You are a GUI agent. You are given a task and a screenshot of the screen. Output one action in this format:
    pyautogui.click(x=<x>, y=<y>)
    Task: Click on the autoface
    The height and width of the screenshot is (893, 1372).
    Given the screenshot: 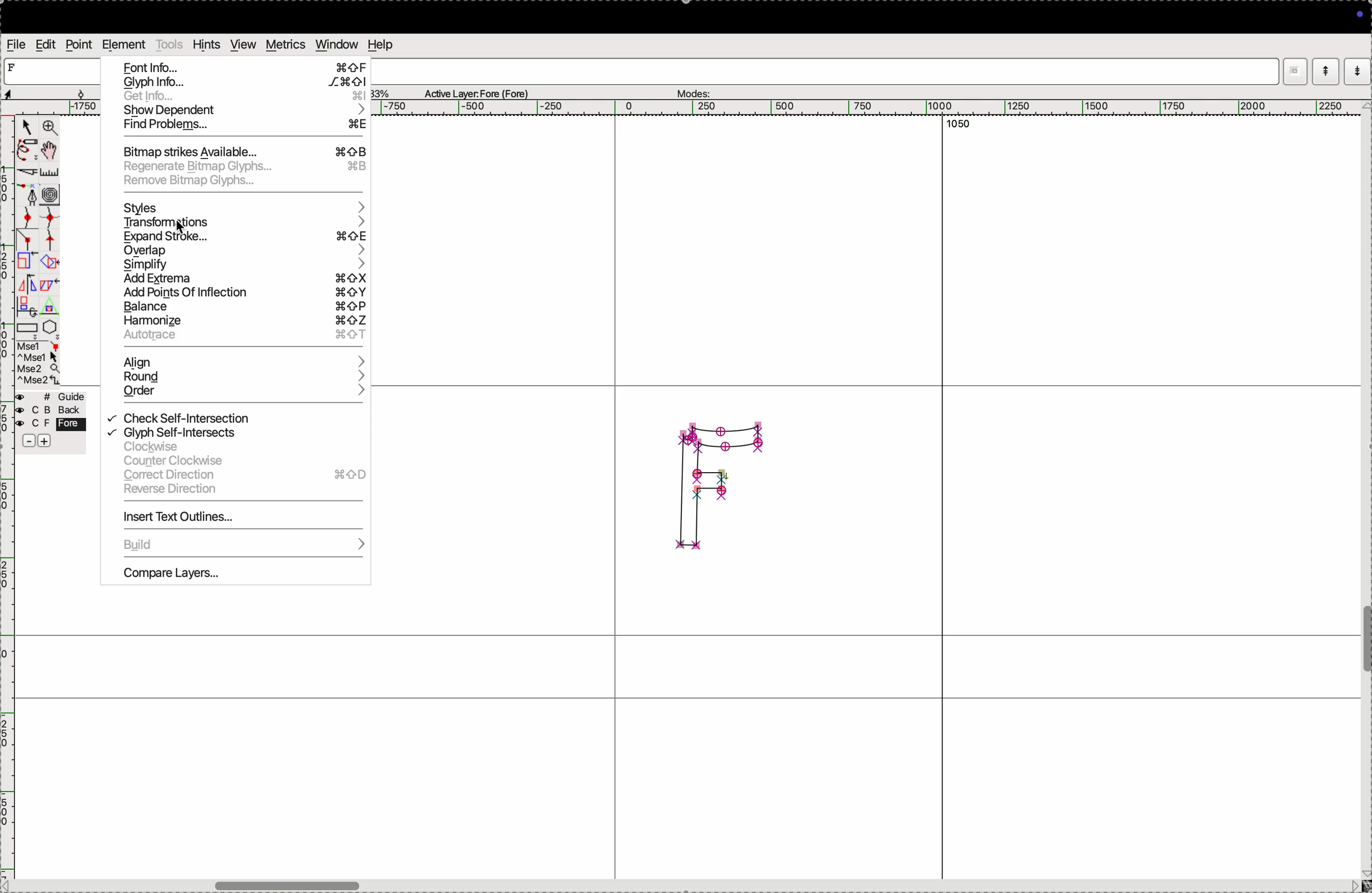 What is the action you would take?
    pyautogui.click(x=246, y=339)
    